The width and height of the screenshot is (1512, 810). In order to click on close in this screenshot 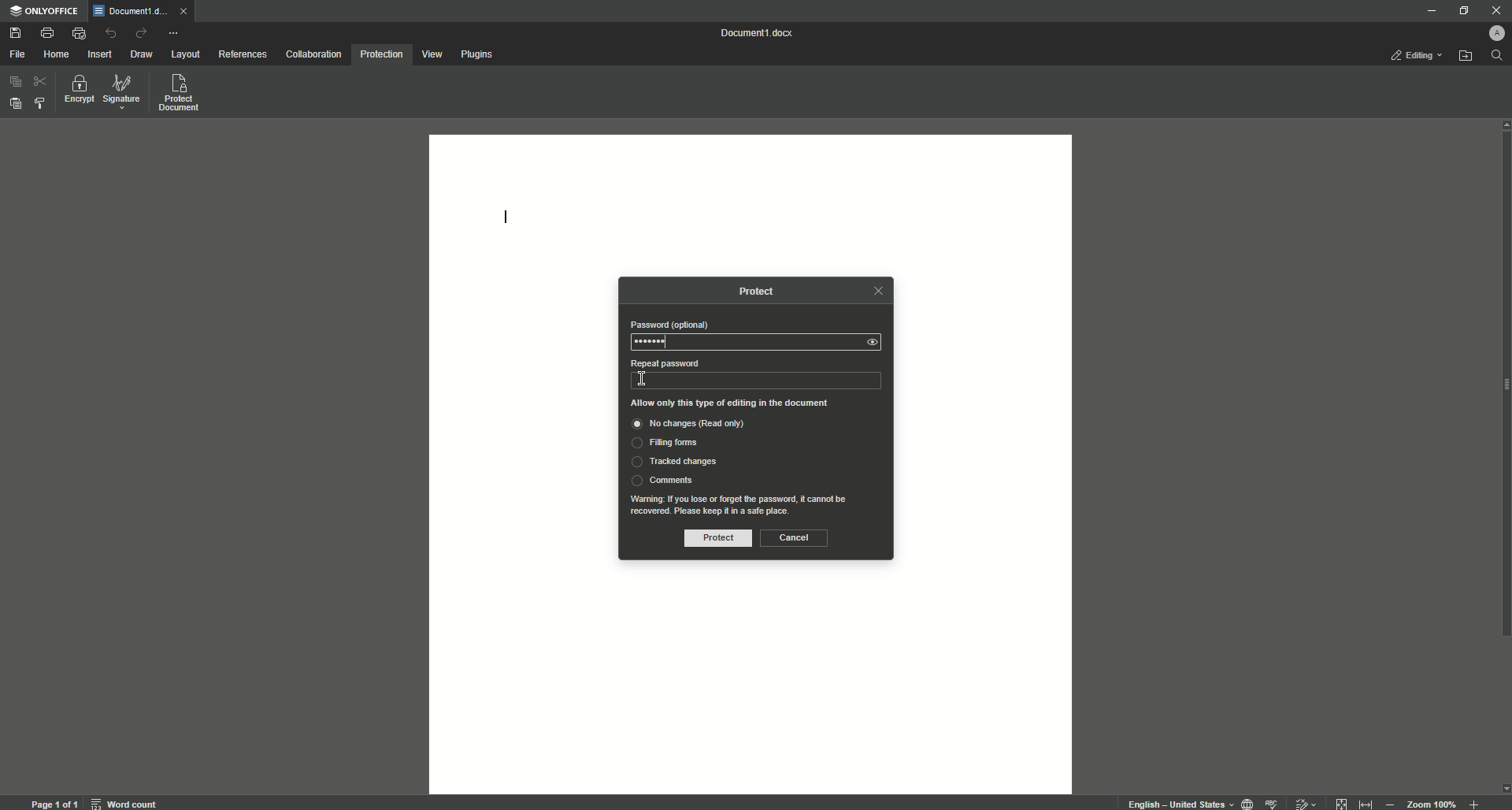, I will do `click(187, 14)`.